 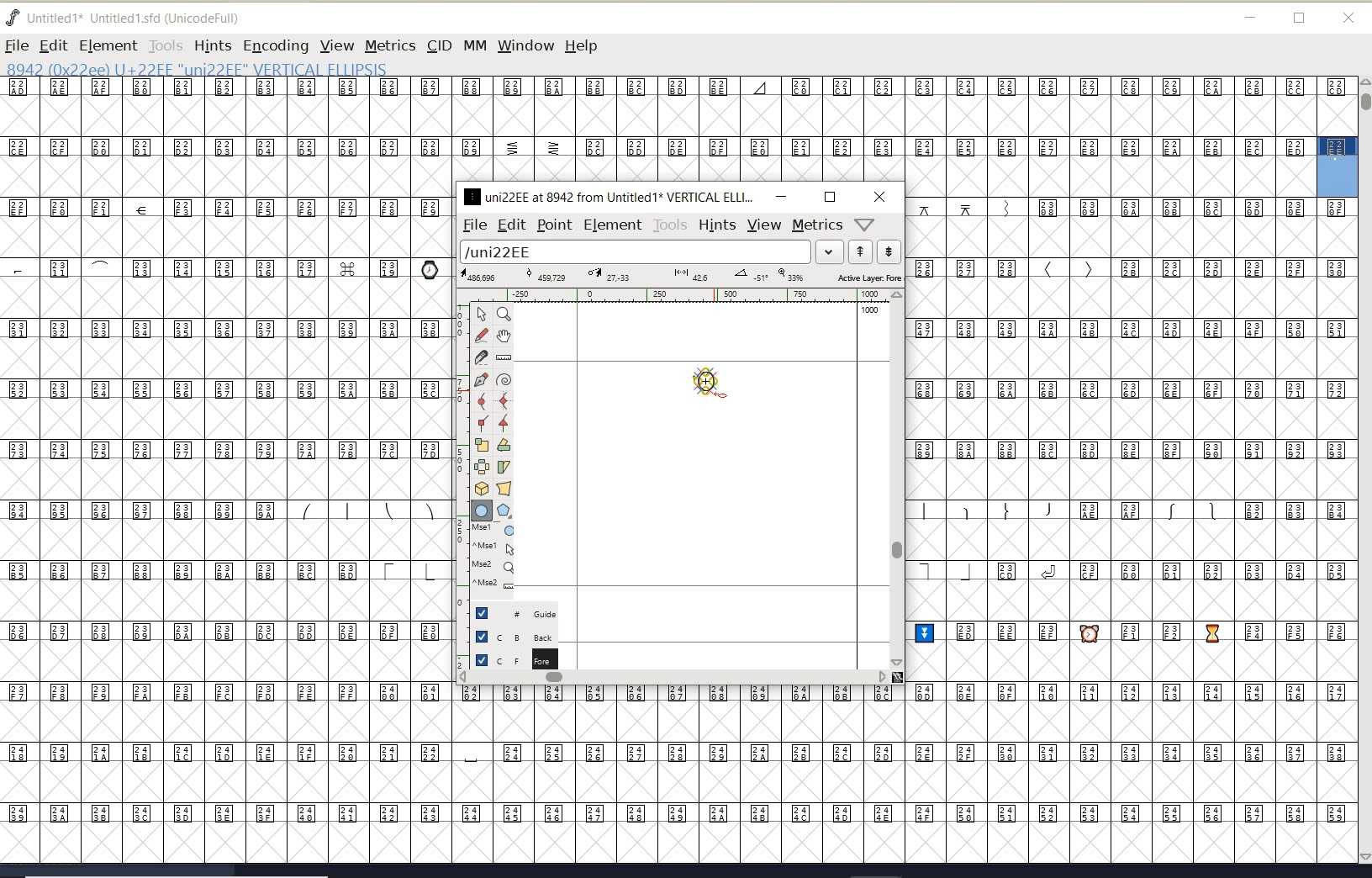 What do you see at coordinates (483, 315) in the screenshot?
I see `pointer` at bounding box center [483, 315].